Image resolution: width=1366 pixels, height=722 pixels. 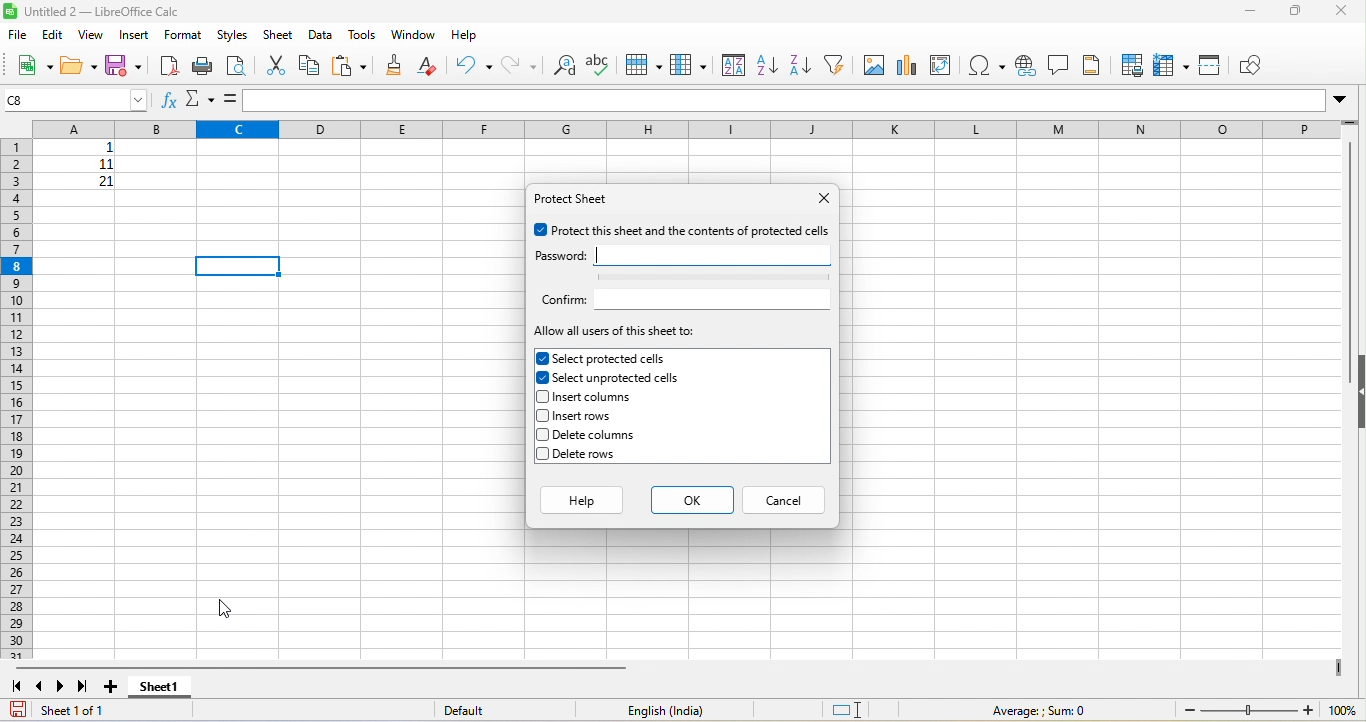 What do you see at coordinates (1351, 125) in the screenshot?
I see `drag to view more rows` at bounding box center [1351, 125].